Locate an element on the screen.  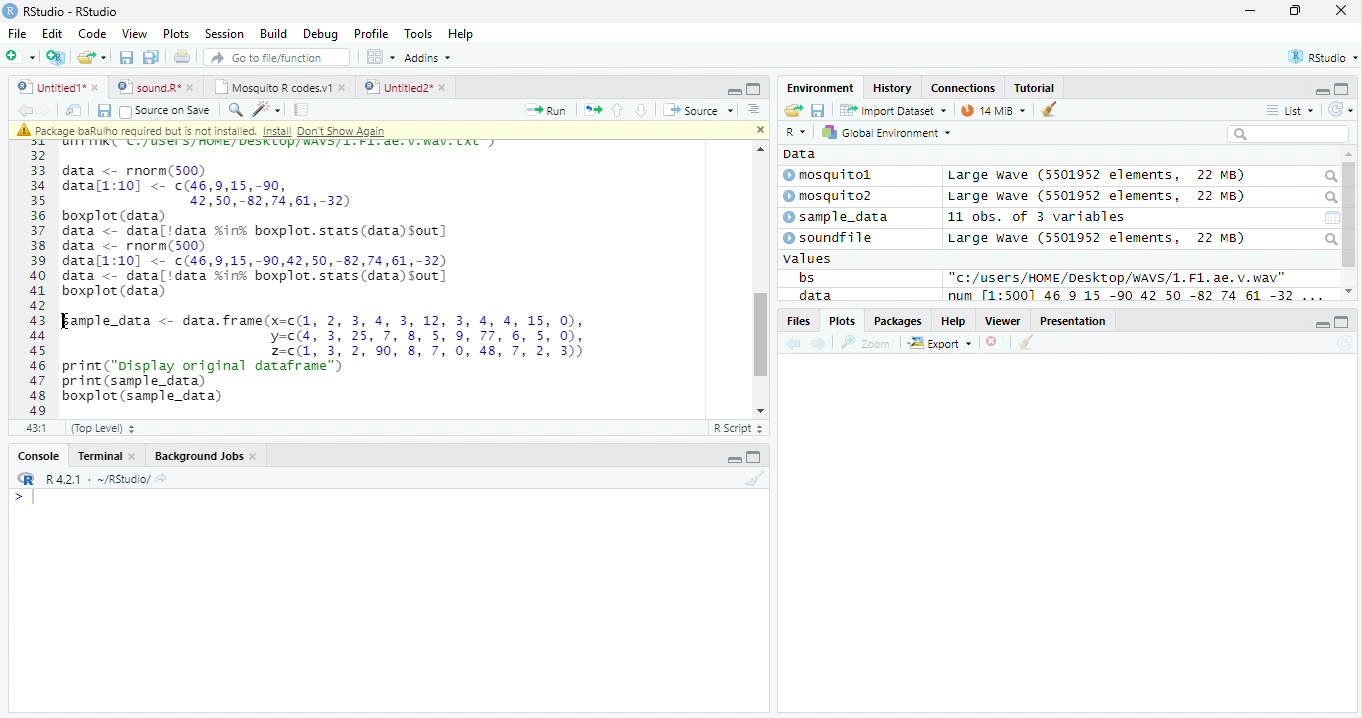
Go to fie/function is located at coordinates (277, 57).